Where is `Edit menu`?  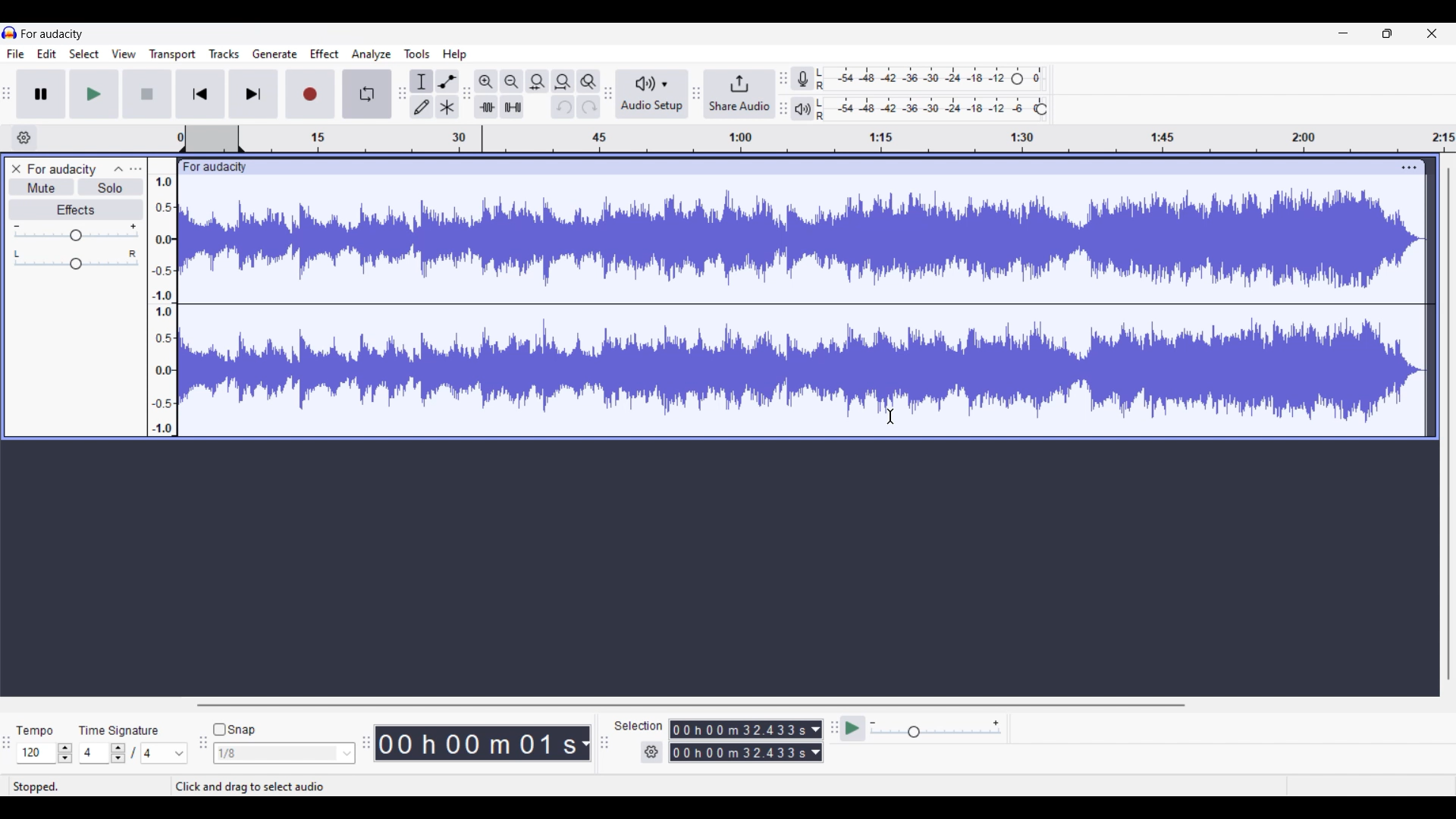 Edit menu is located at coordinates (47, 54).